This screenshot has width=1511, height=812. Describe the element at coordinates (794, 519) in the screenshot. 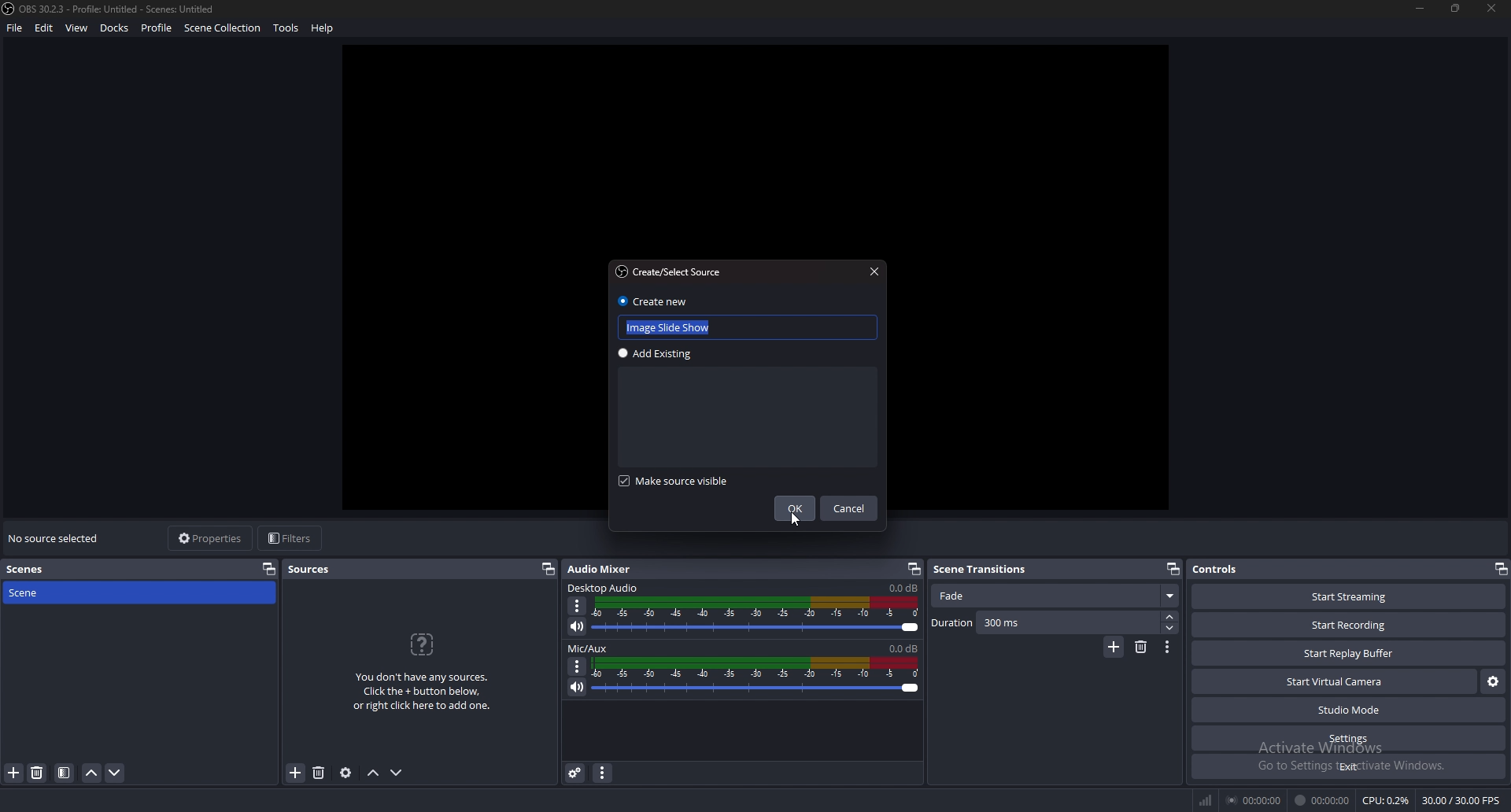

I see `cursor` at that location.